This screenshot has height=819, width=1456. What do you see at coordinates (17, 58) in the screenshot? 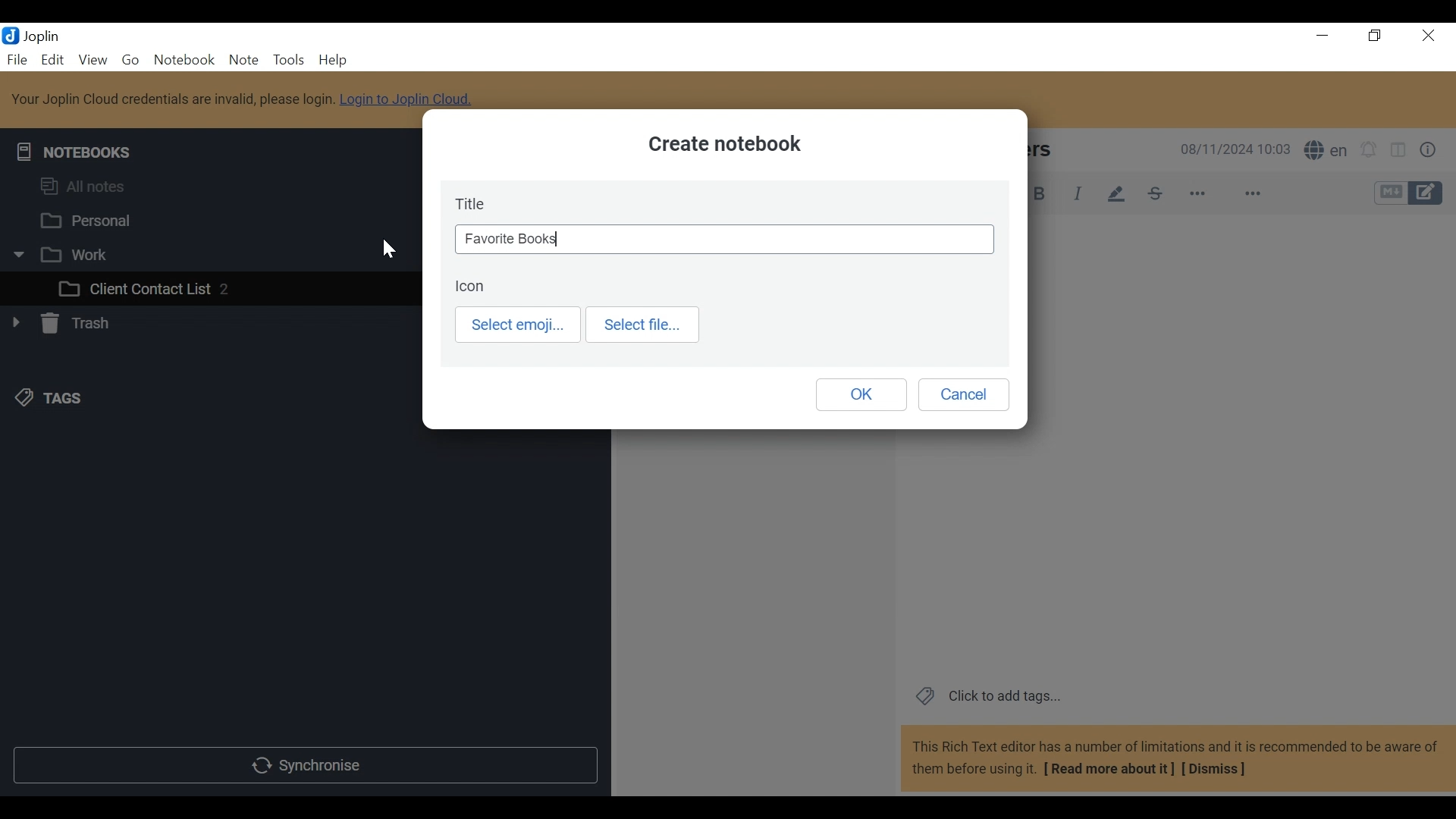
I see `File` at bounding box center [17, 58].